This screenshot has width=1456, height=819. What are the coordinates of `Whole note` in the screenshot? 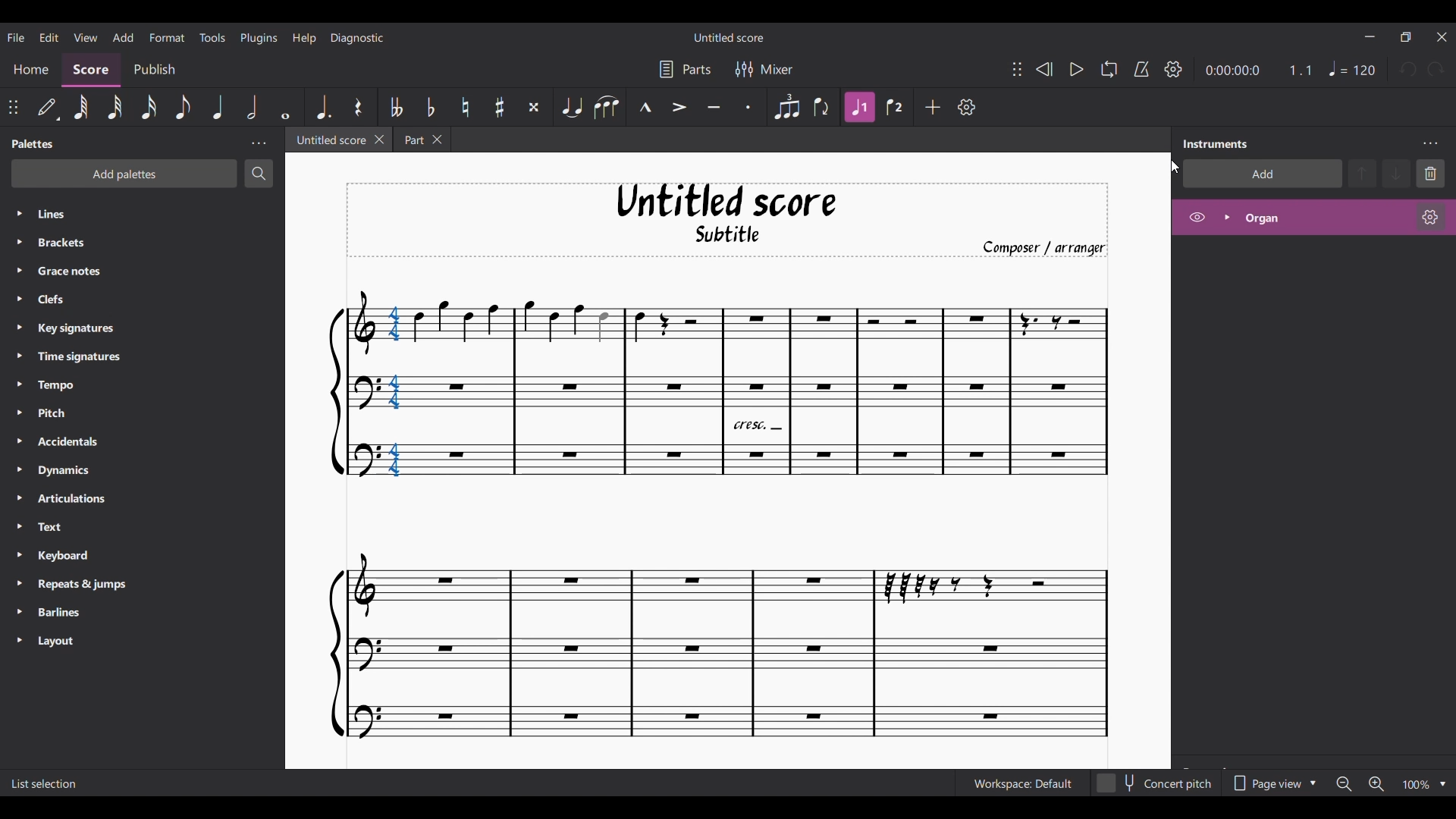 It's located at (285, 107).